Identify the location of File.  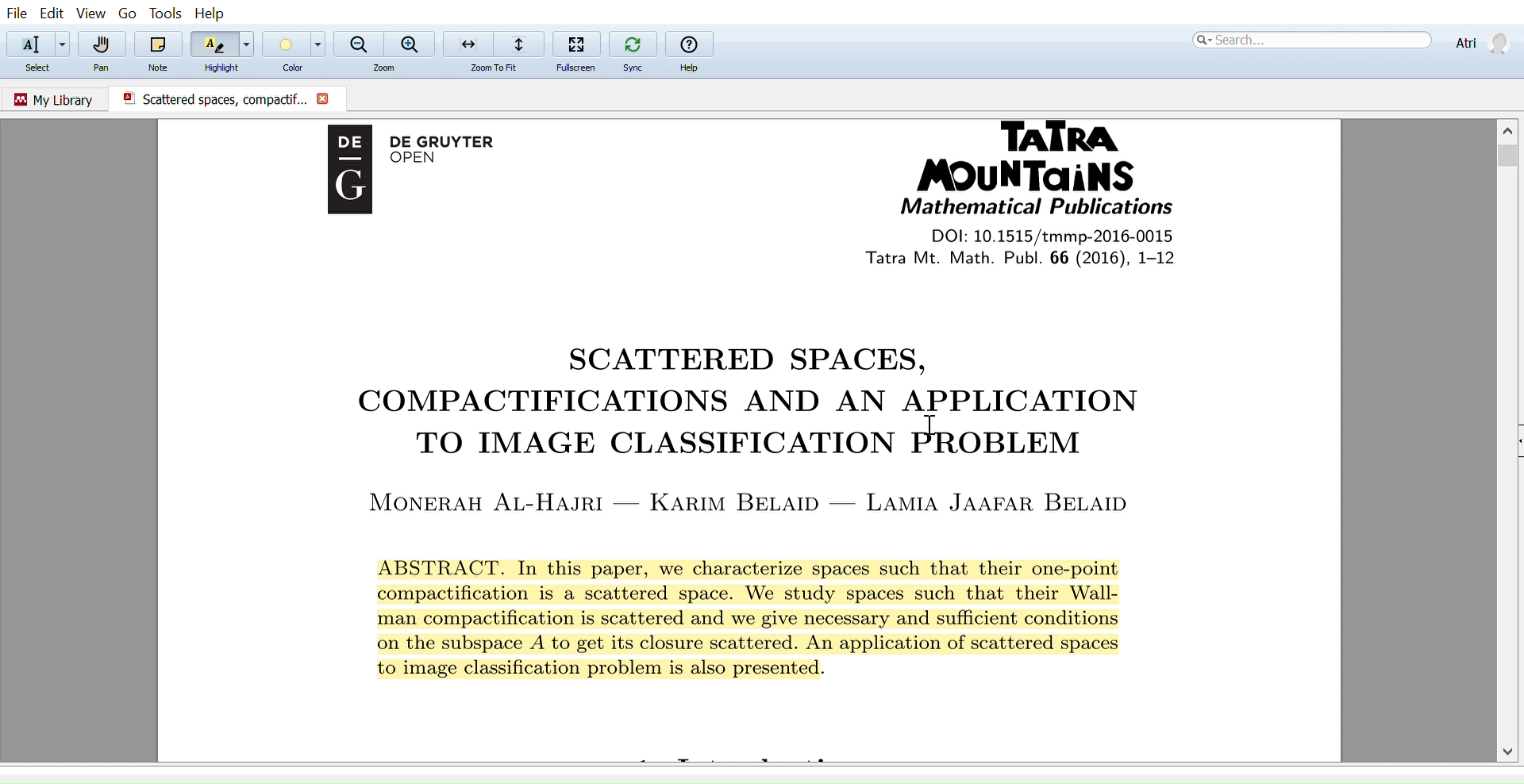
(17, 13).